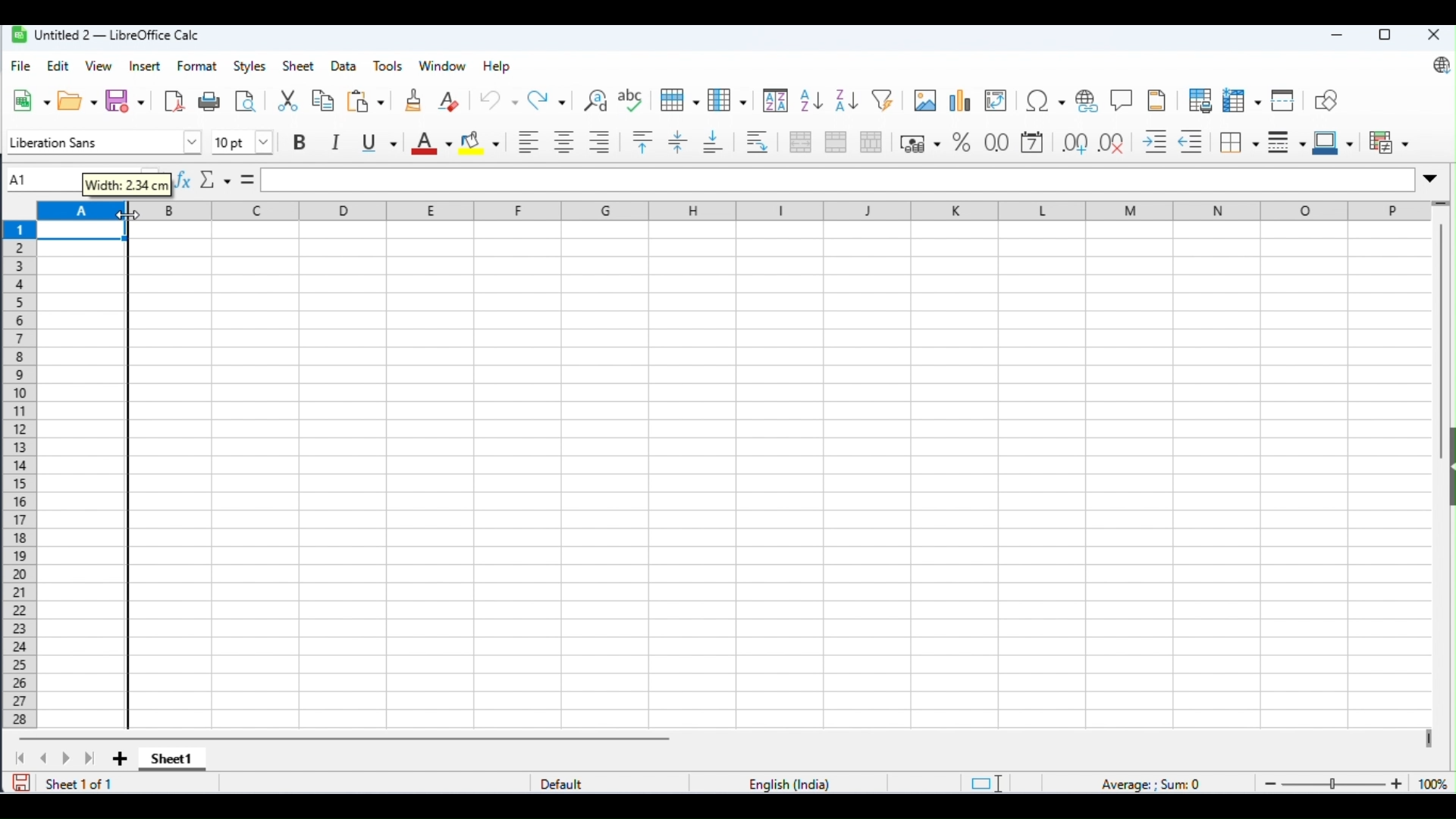  Describe the element at coordinates (390, 67) in the screenshot. I see `tools` at that location.